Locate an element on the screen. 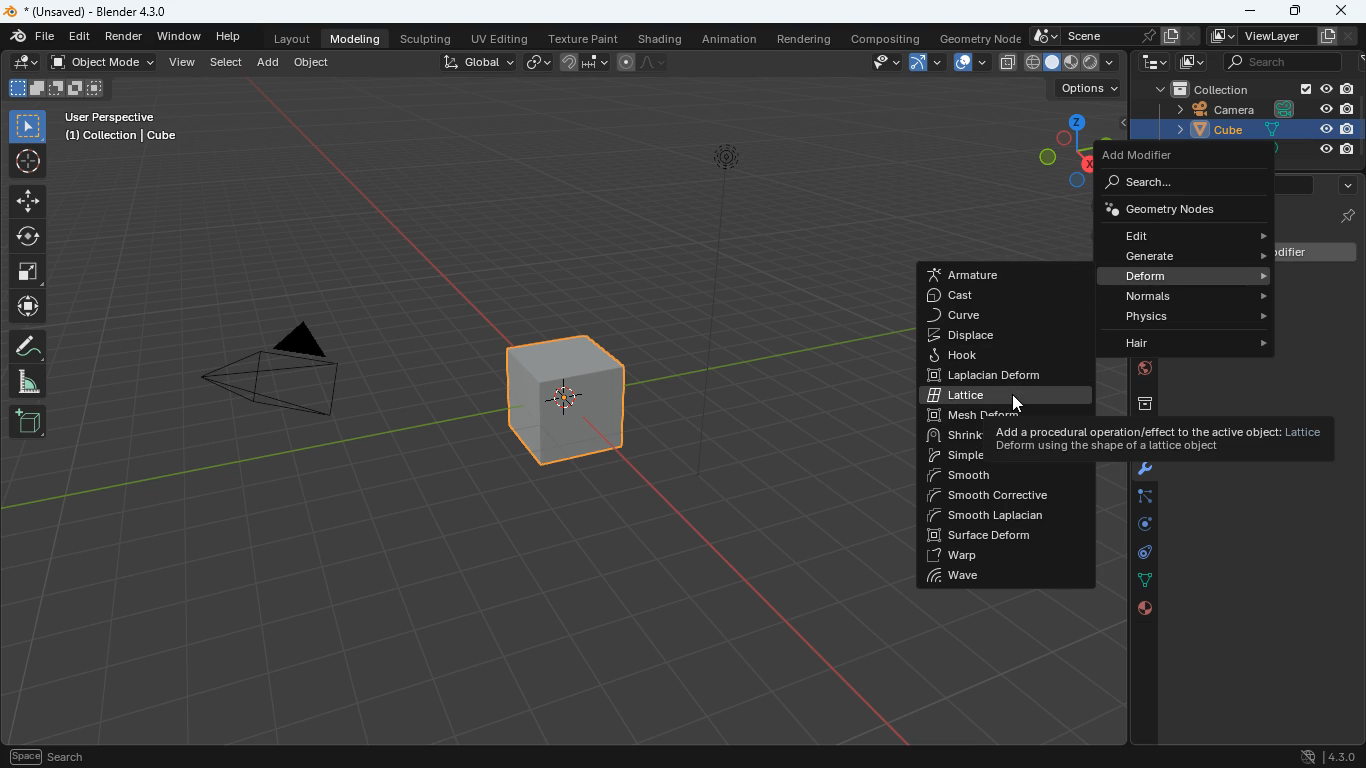 The height and width of the screenshot is (768, 1366). cube is located at coordinates (573, 399).